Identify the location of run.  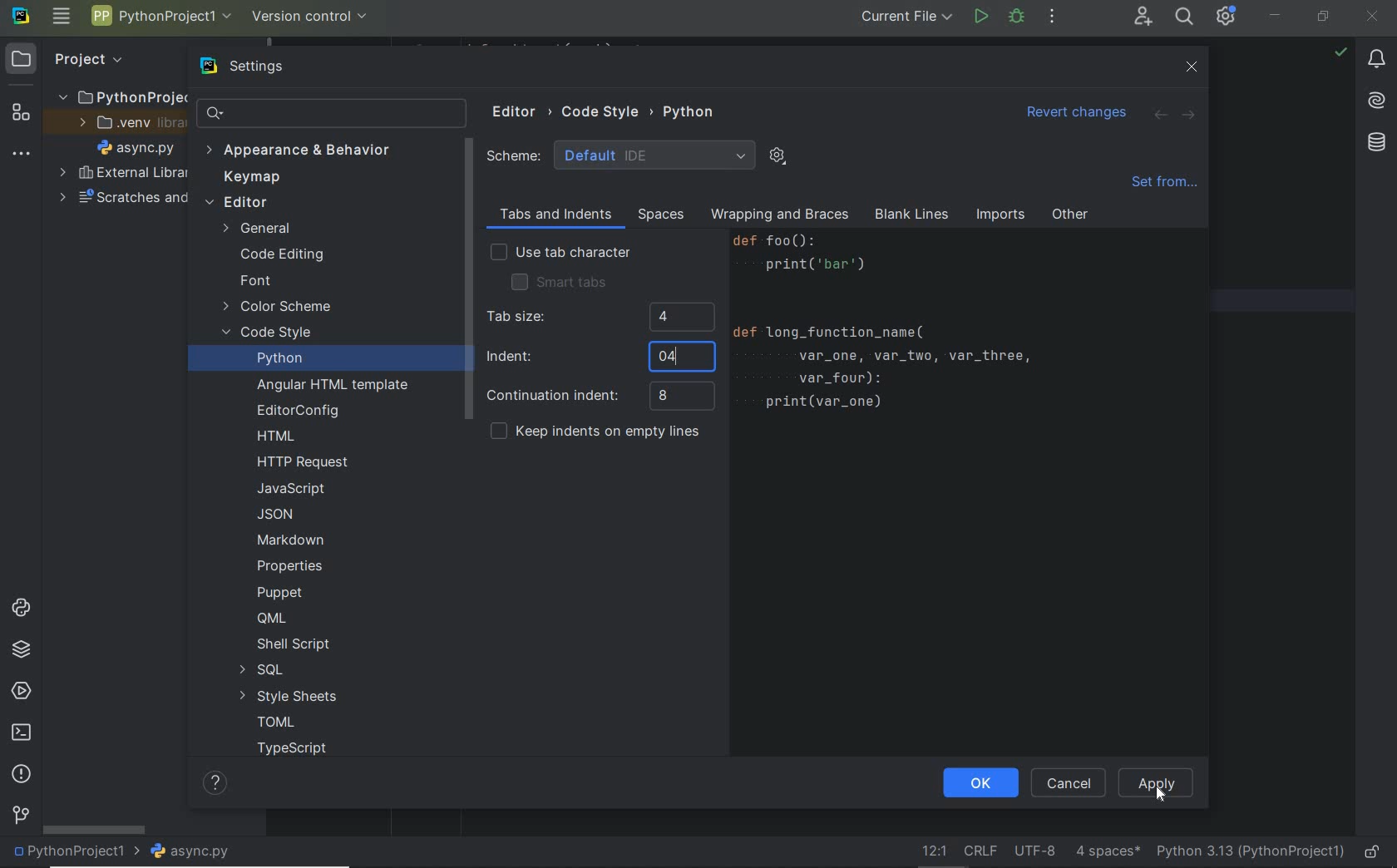
(980, 18).